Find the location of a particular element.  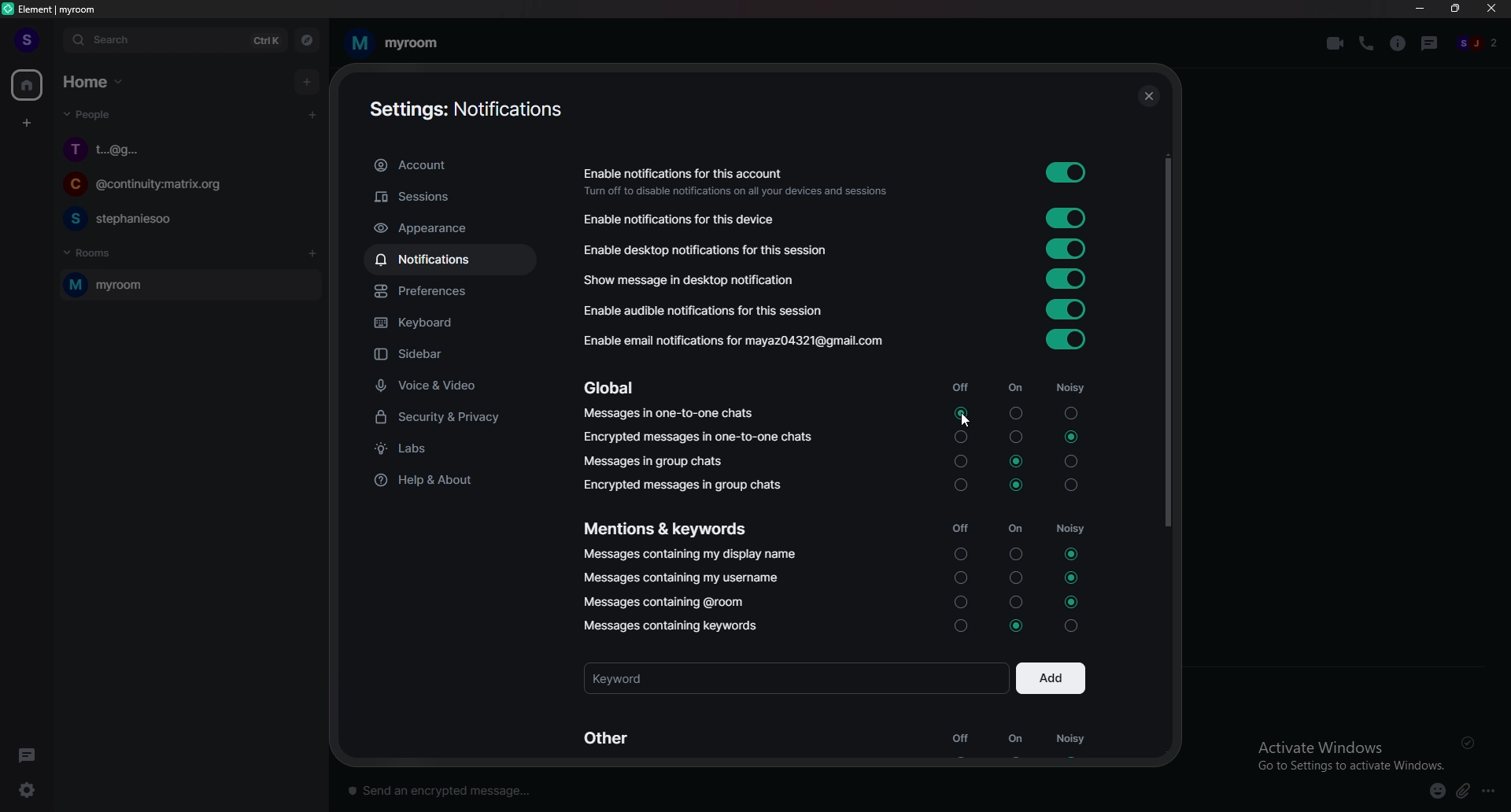

Global is located at coordinates (612, 389).